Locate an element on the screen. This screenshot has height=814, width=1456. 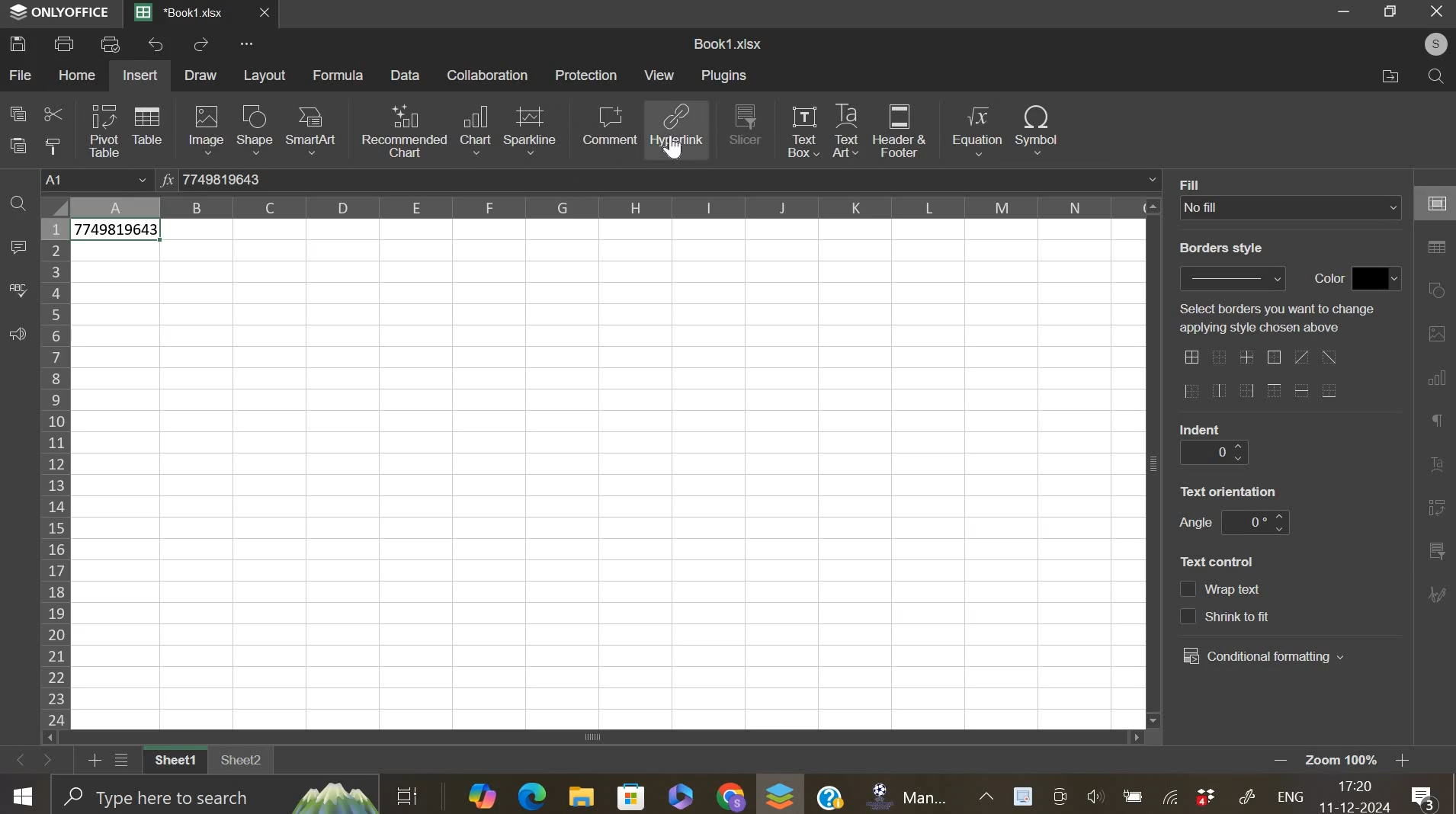
text is located at coordinates (1196, 183).